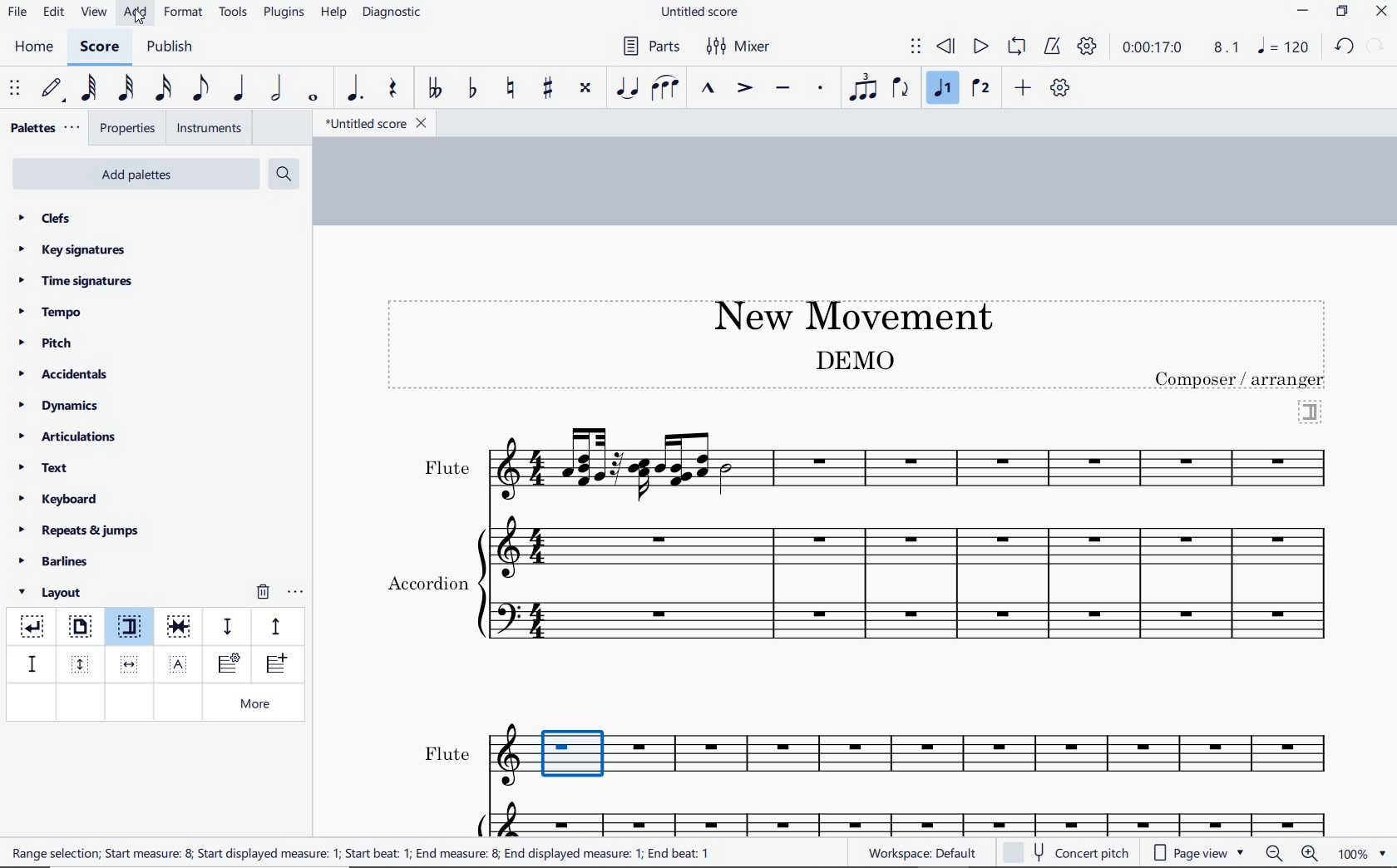 This screenshot has width=1397, height=868. I want to click on format, so click(185, 12).